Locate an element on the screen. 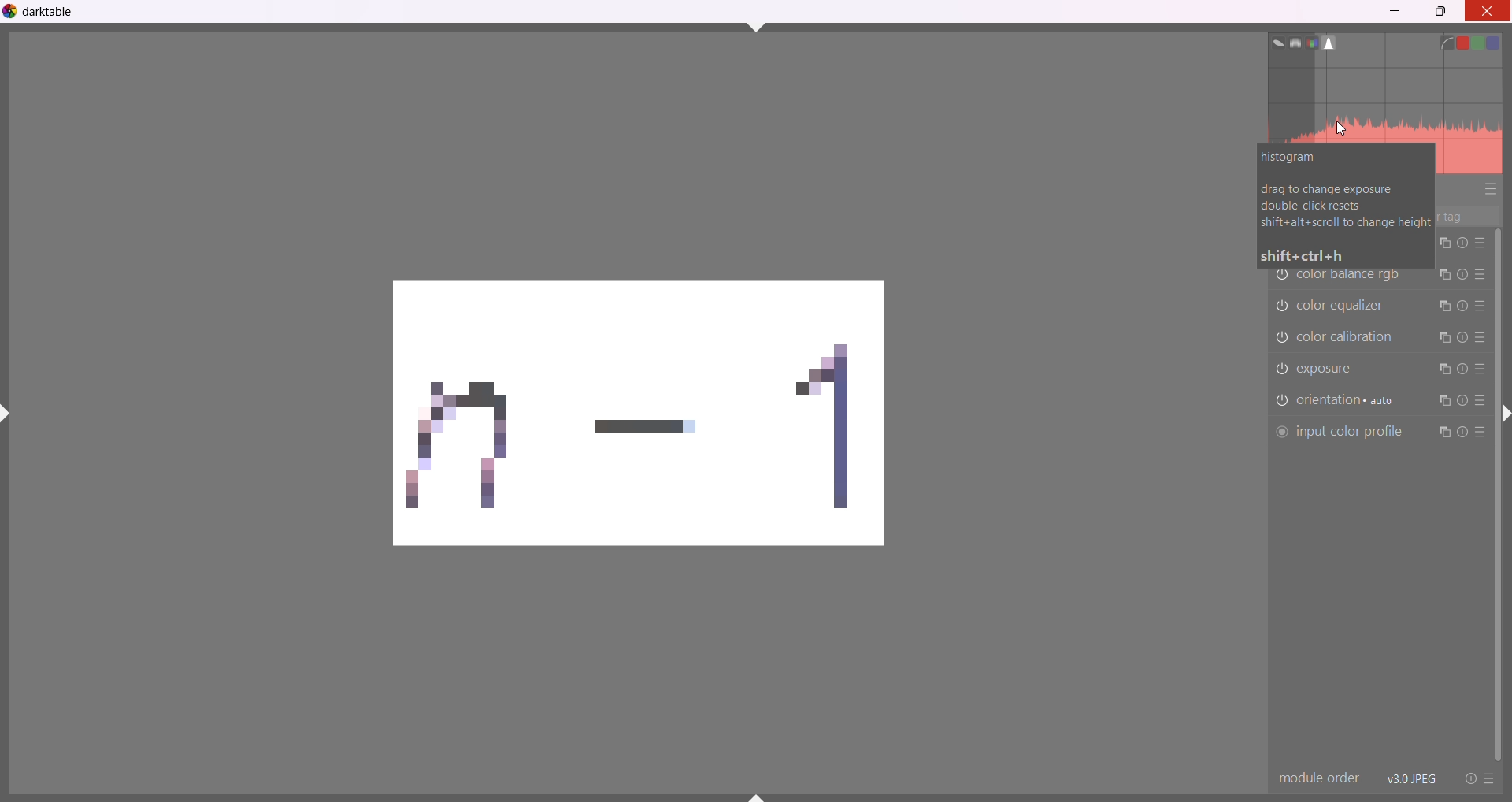  reset parameters is located at coordinates (1462, 369).